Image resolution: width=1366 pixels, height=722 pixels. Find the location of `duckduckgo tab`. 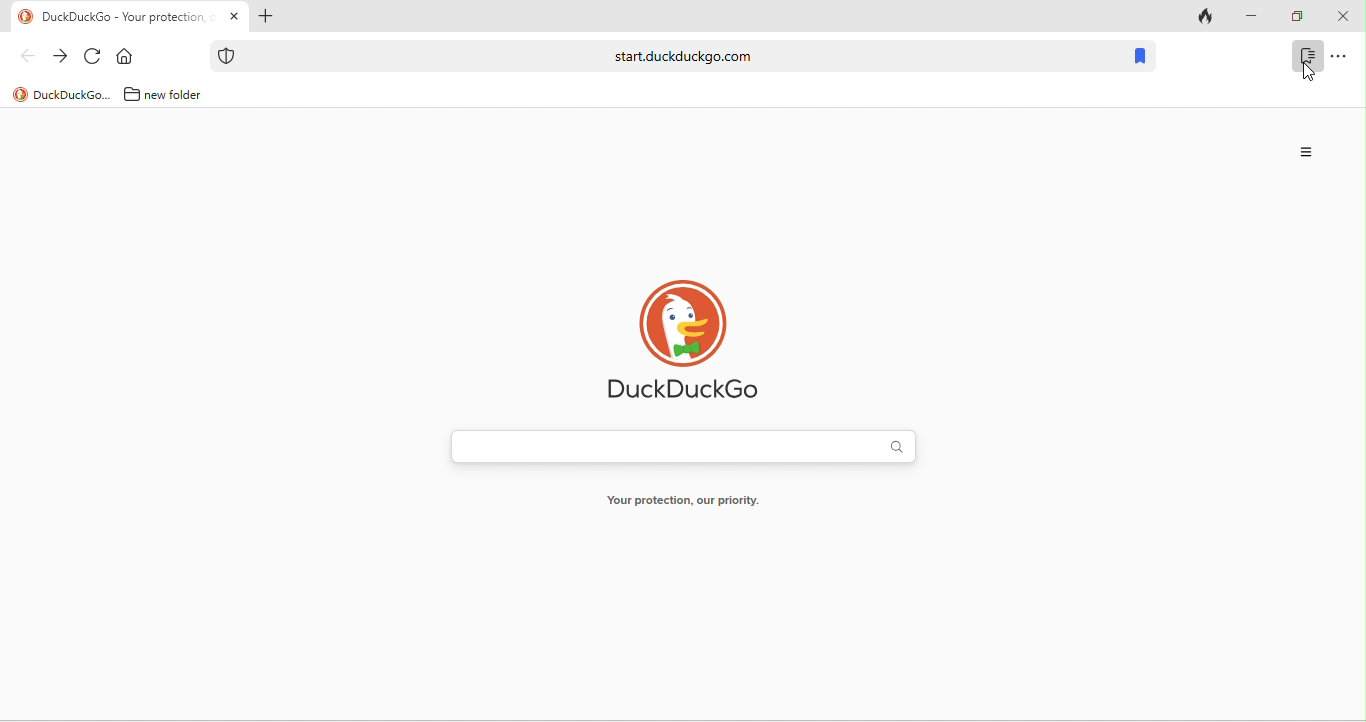

duckduckgo tab is located at coordinates (113, 18).